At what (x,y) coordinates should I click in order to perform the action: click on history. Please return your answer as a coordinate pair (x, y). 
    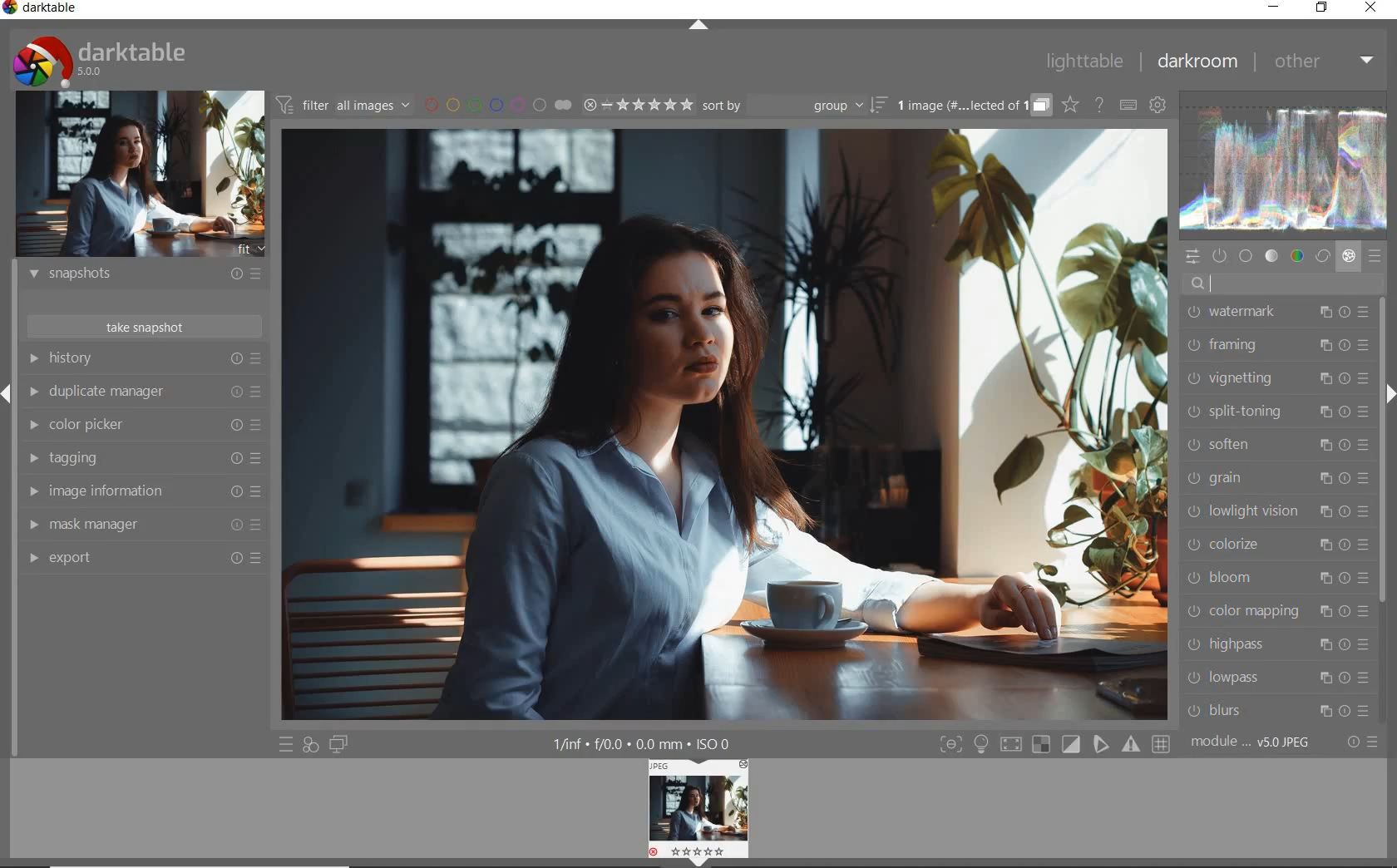
    Looking at the image, I should click on (143, 358).